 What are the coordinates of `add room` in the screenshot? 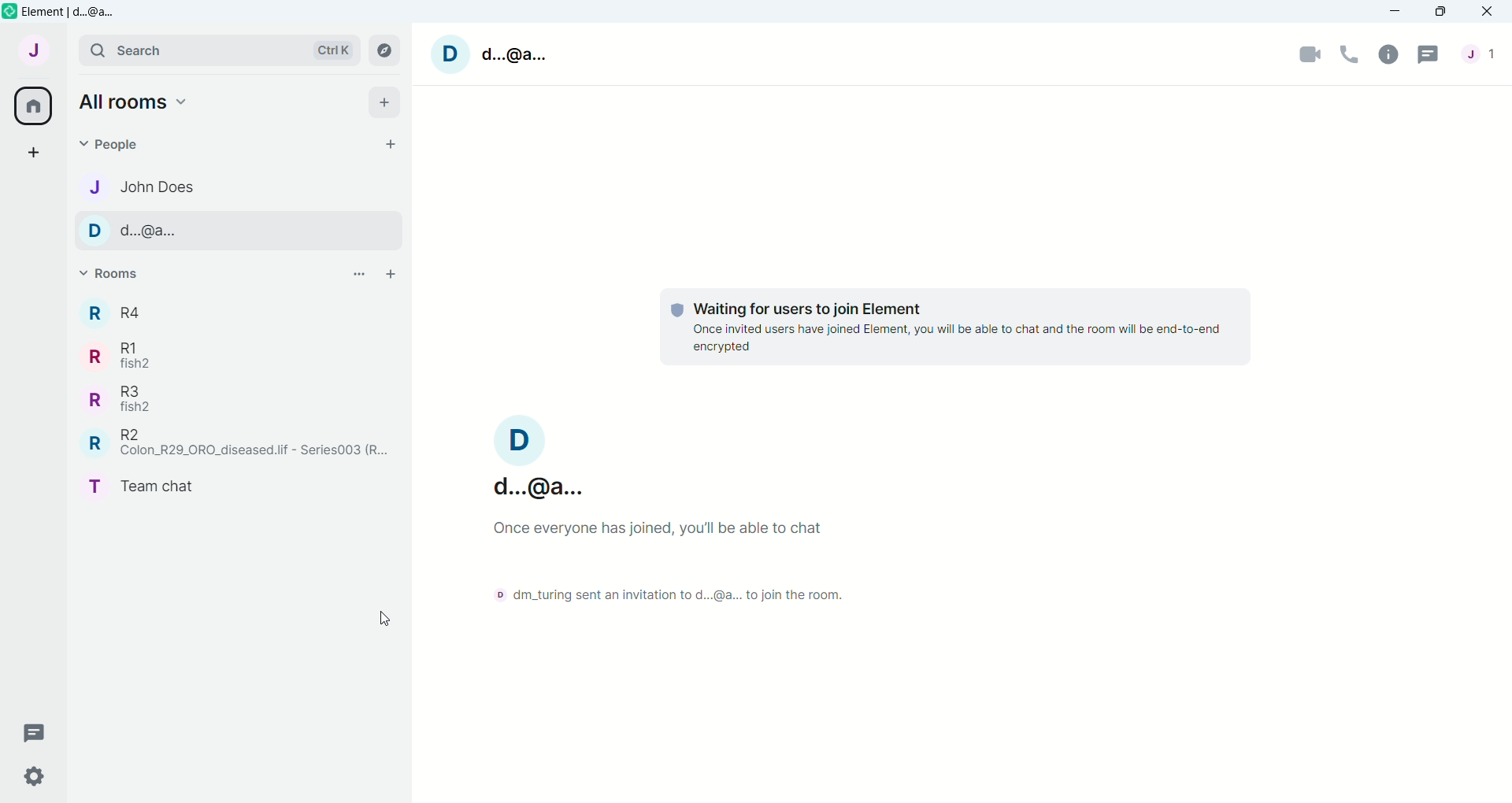 It's located at (391, 273).